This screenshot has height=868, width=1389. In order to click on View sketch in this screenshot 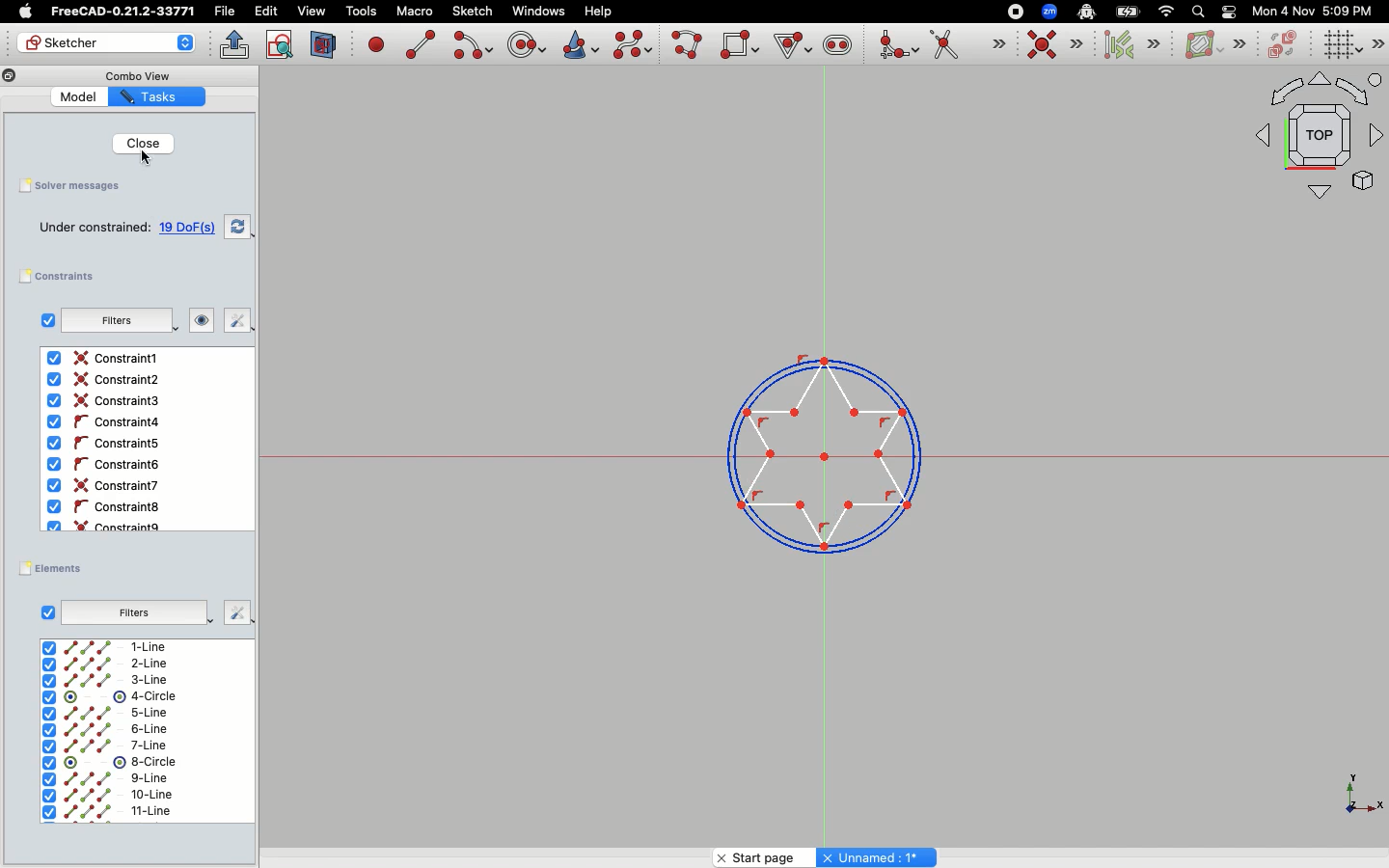, I will do `click(281, 45)`.